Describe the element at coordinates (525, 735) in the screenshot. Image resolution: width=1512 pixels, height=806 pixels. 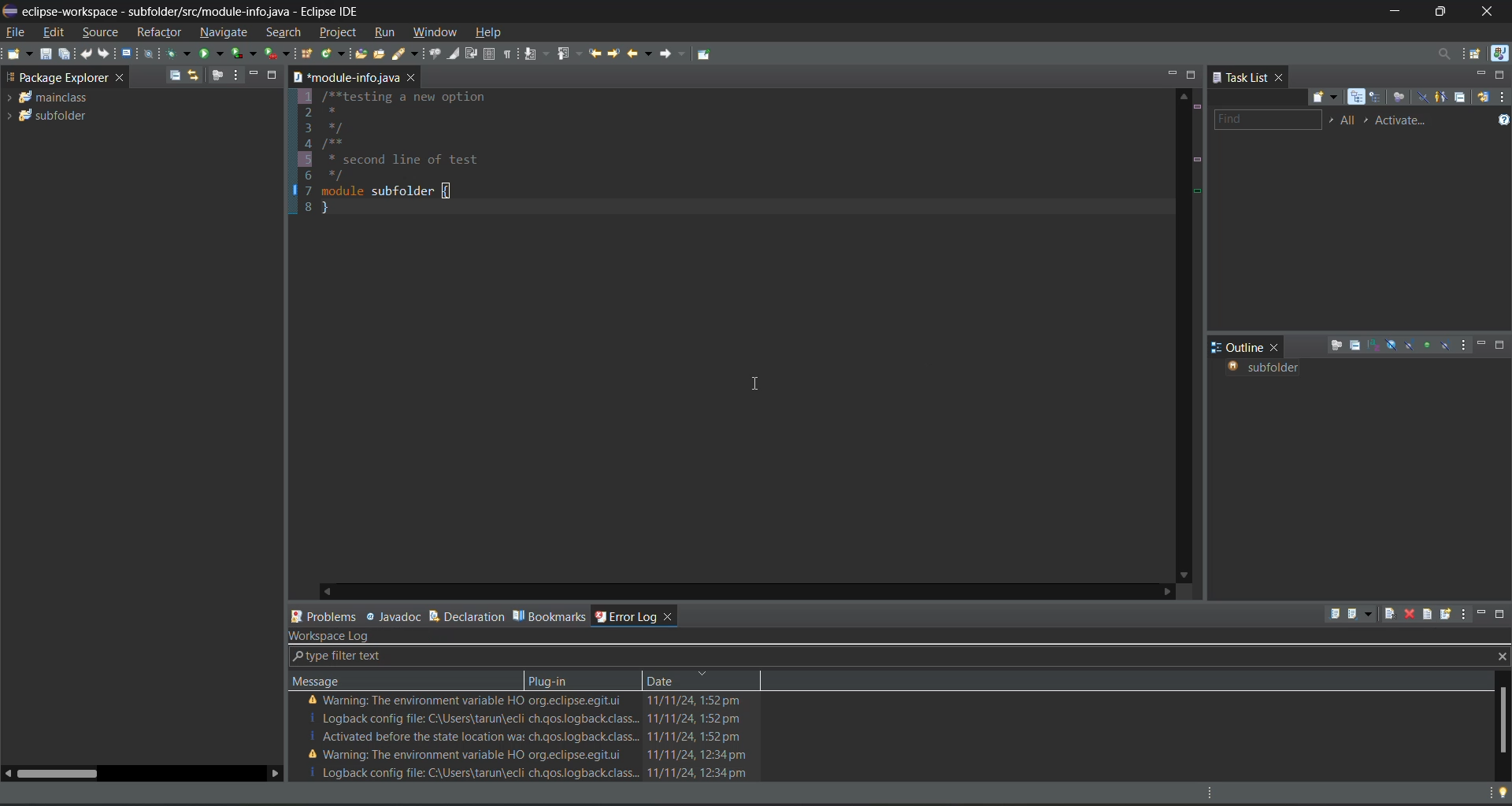
I see `error logs` at that location.